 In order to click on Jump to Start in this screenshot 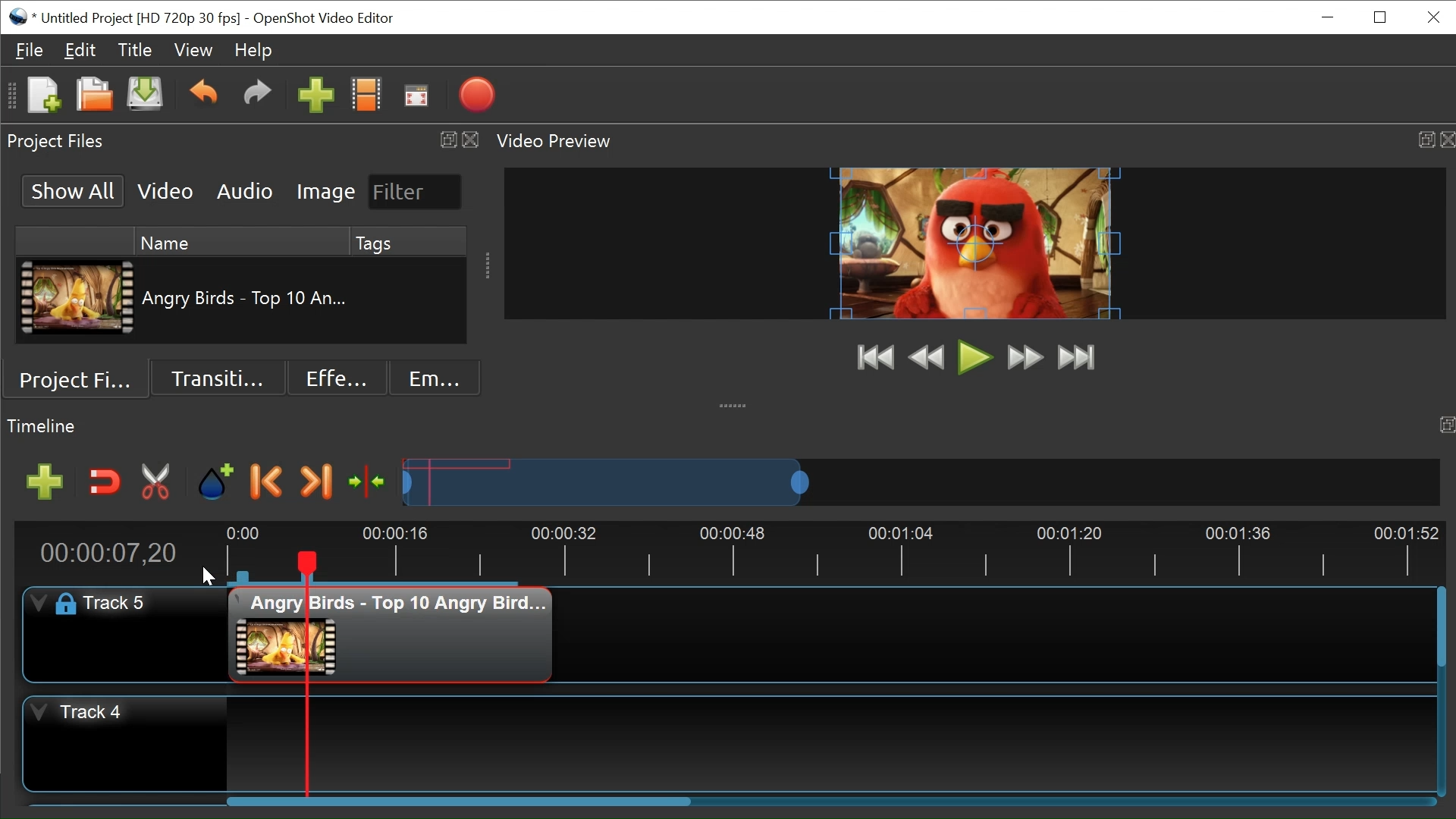, I will do `click(875, 358)`.